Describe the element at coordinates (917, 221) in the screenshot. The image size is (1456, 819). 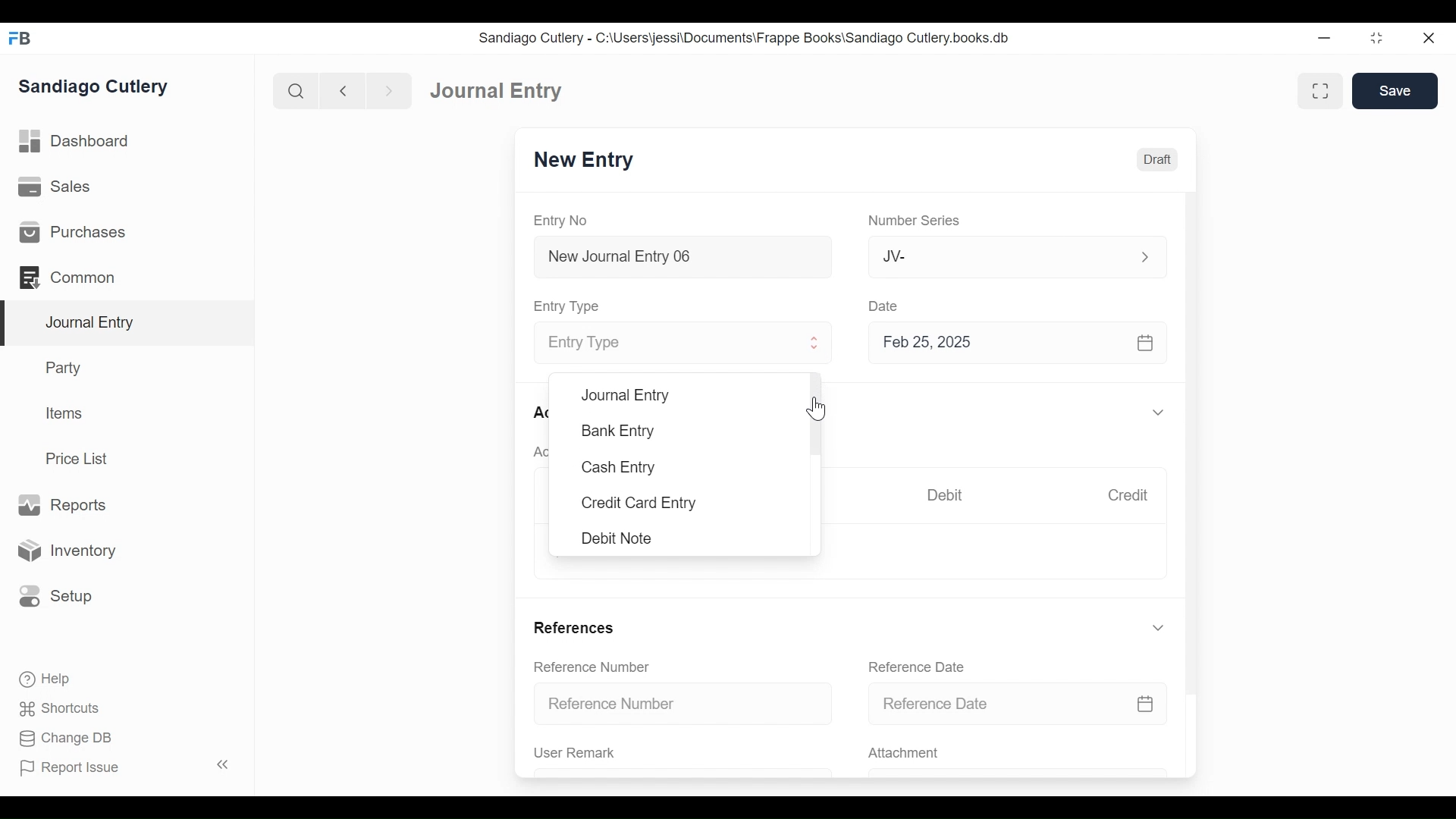
I see `Number Series` at that location.